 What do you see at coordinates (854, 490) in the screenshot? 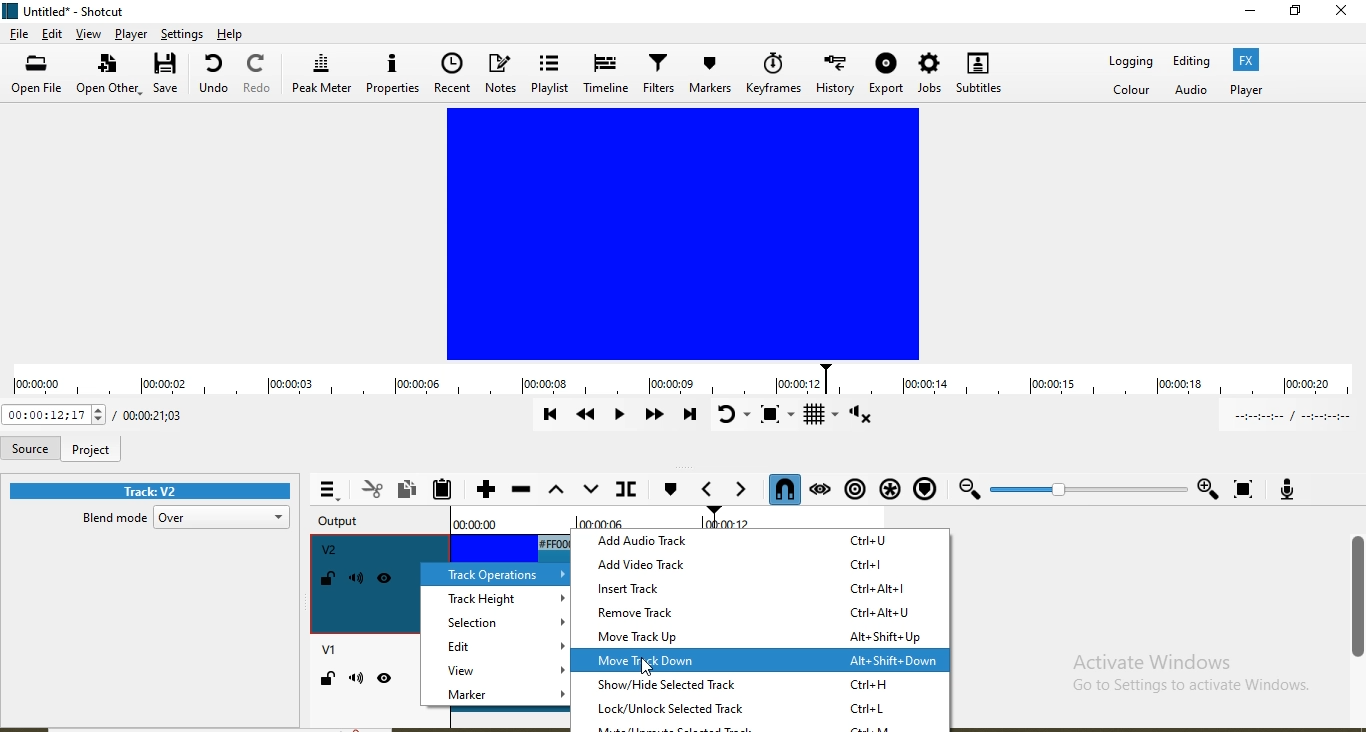
I see `Ripple` at bounding box center [854, 490].